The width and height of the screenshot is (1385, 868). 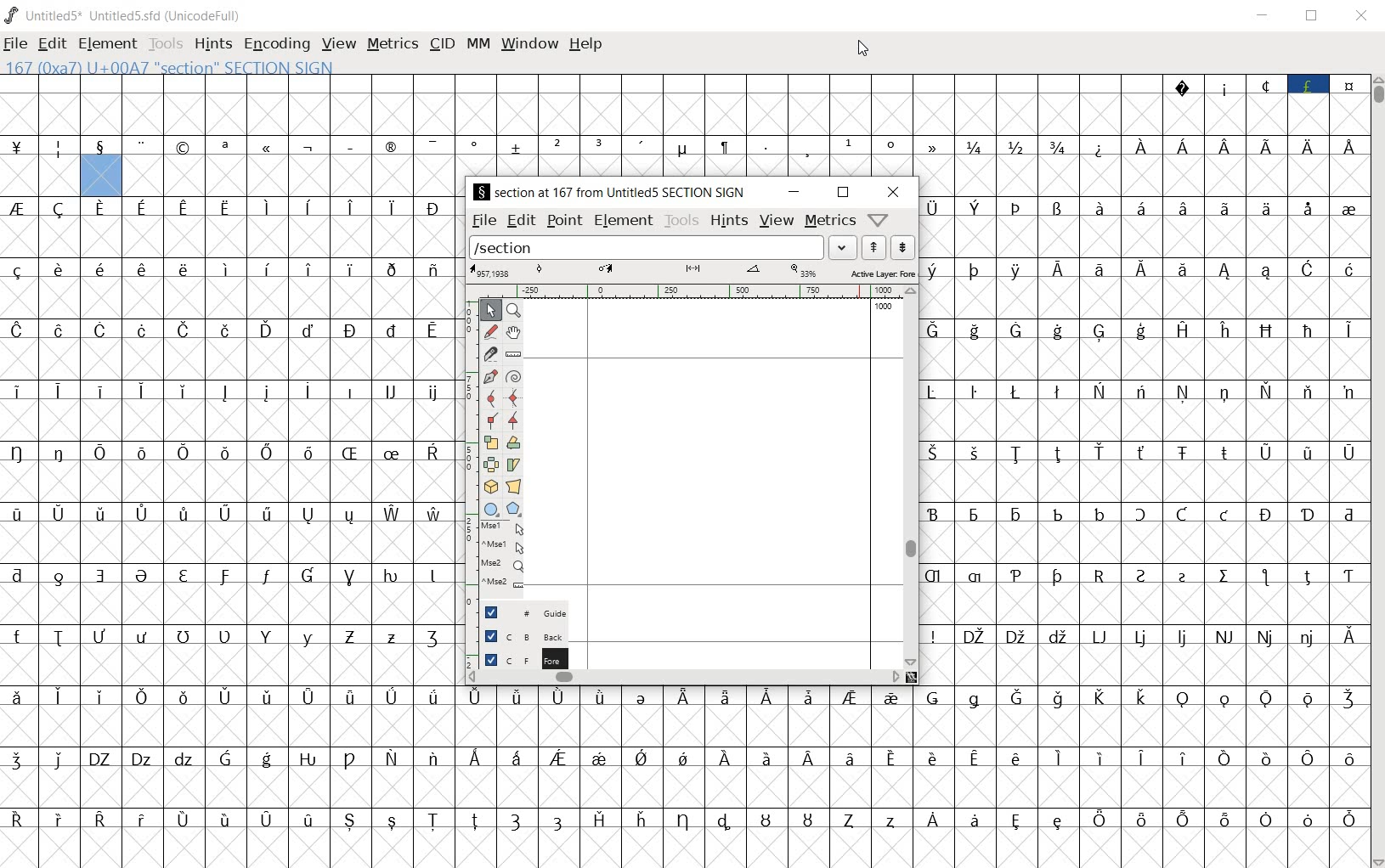 What do you see at coordinates (233, 637) in the screenshot?
I see `special letters` at bounding box center [233, 637].